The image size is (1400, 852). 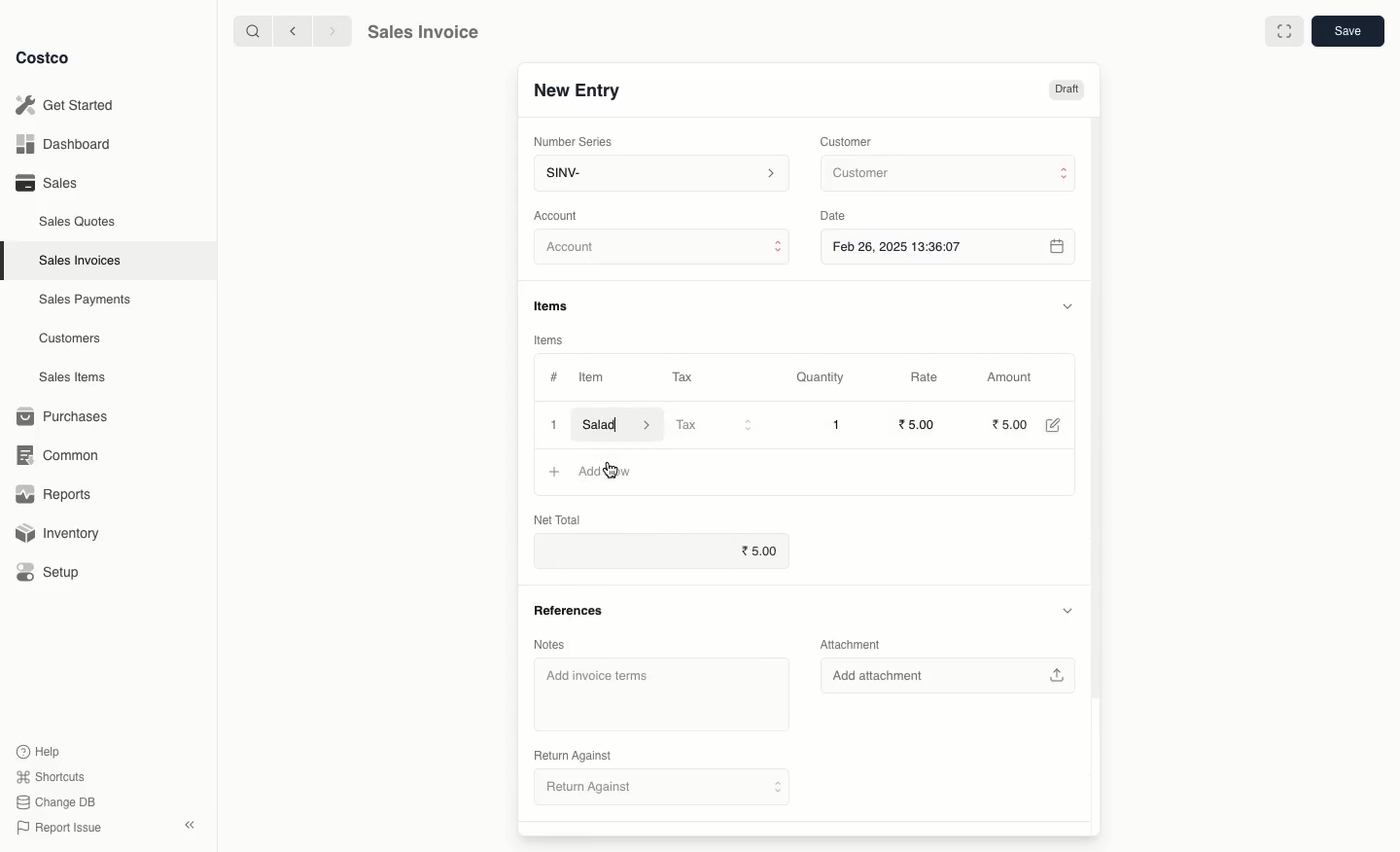 What do you see at coordinates (560, 215) in the screenshot?
I see `‘Account` at bounding box center [560, 215].